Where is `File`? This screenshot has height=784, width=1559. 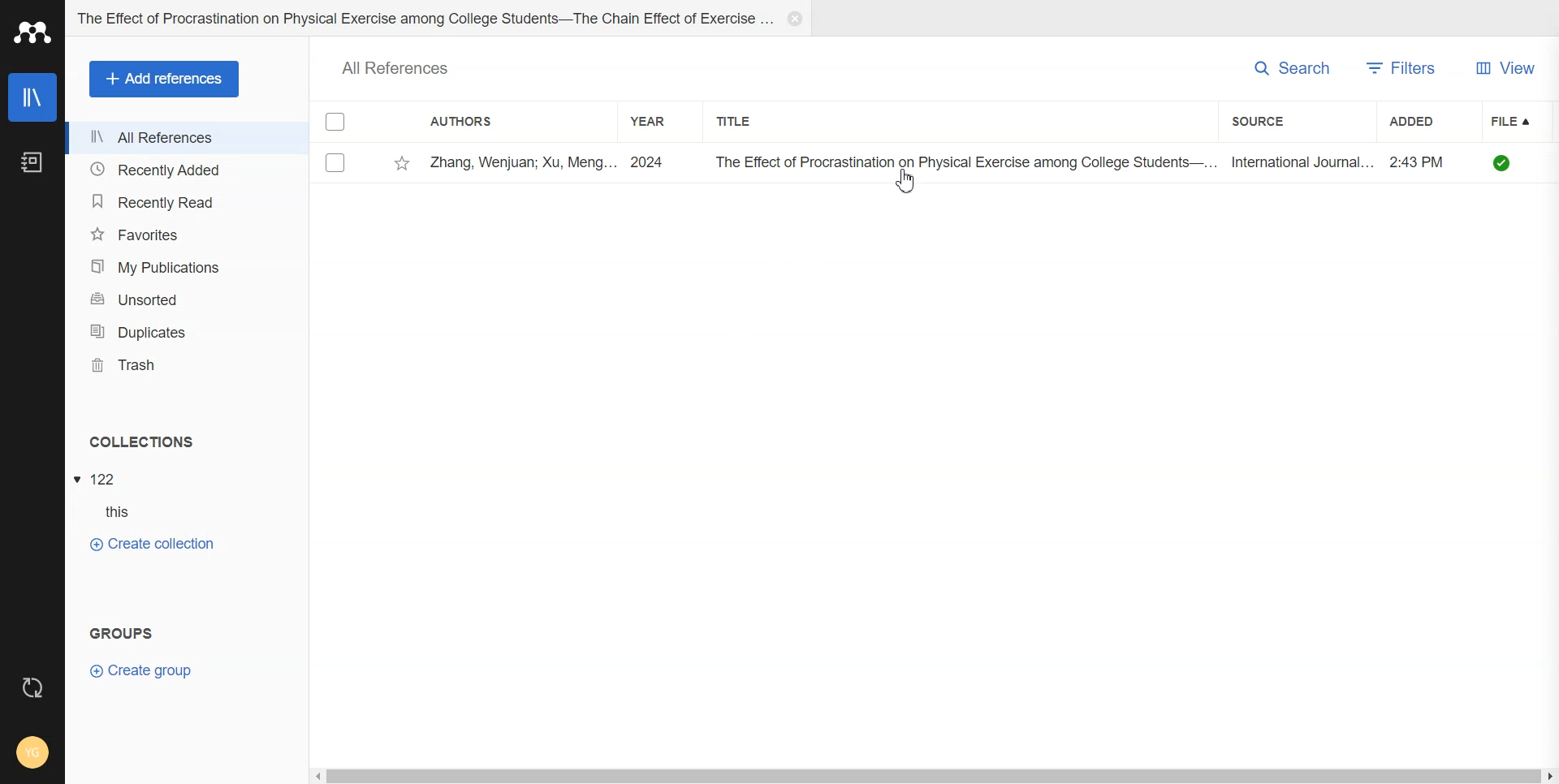 File is located at coordinates (100, 478).